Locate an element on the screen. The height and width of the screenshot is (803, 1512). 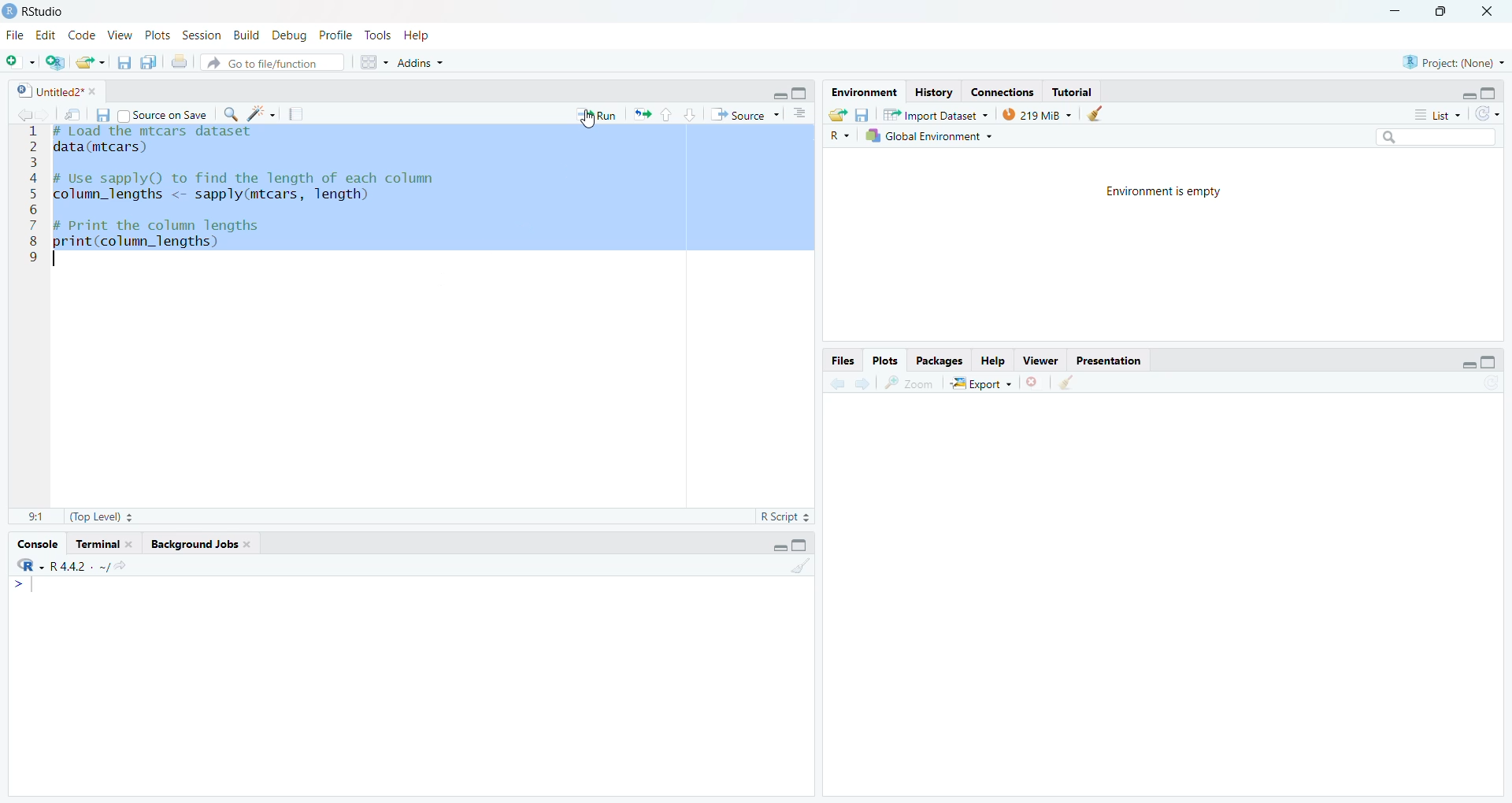
Save all open files is located at coordinates (149, 61).